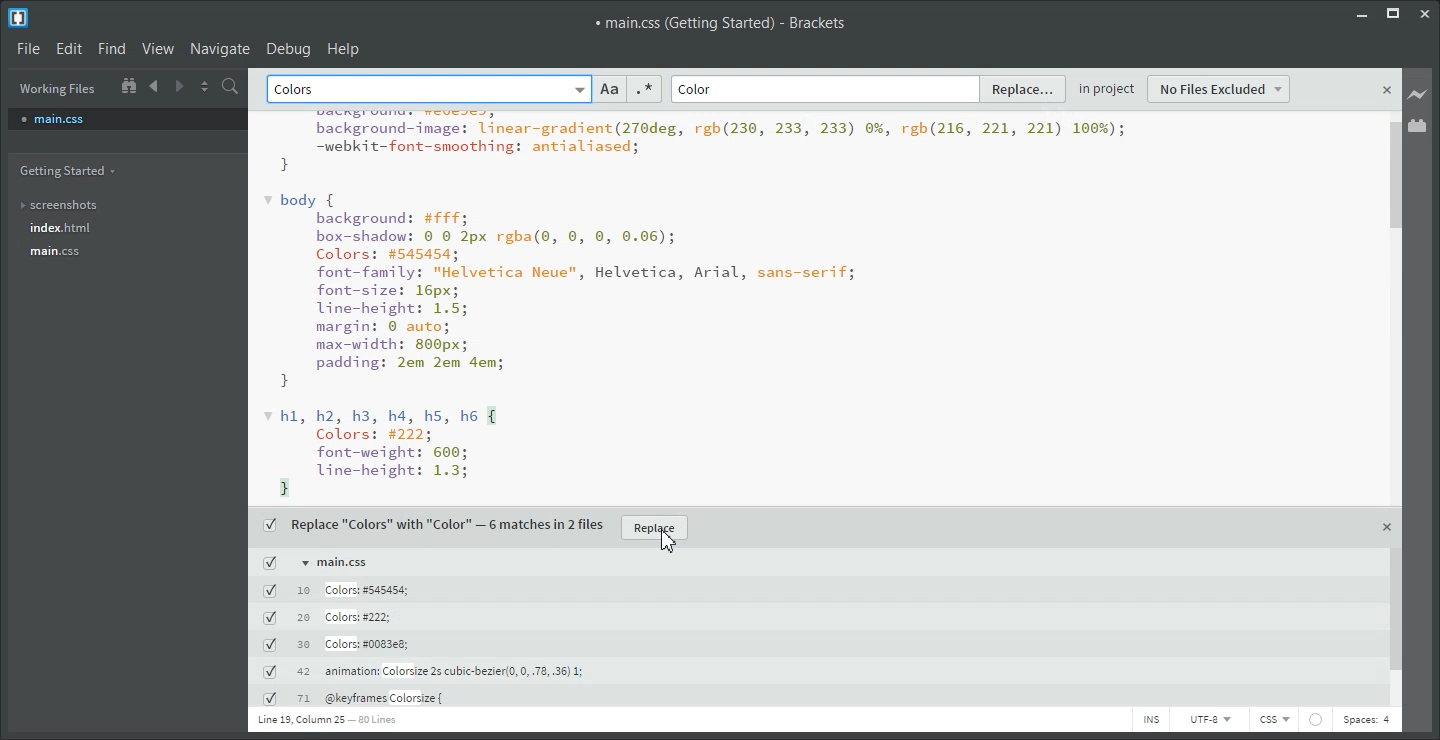 The width and height of the screenshot is (1440, 740). I want to click on Edit, so click(68, 48).